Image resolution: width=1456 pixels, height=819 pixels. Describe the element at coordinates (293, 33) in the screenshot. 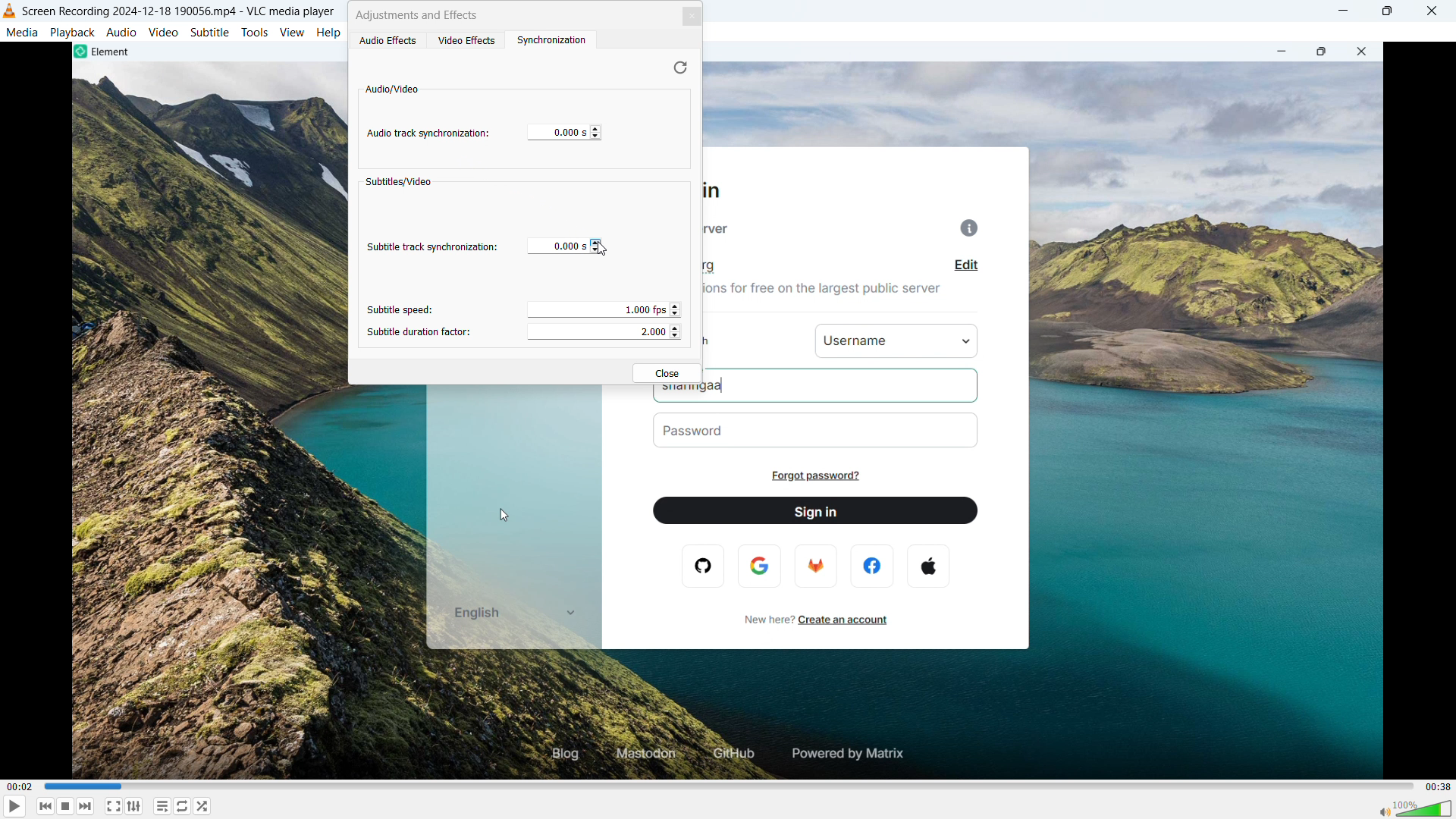

I see `view` at that location.